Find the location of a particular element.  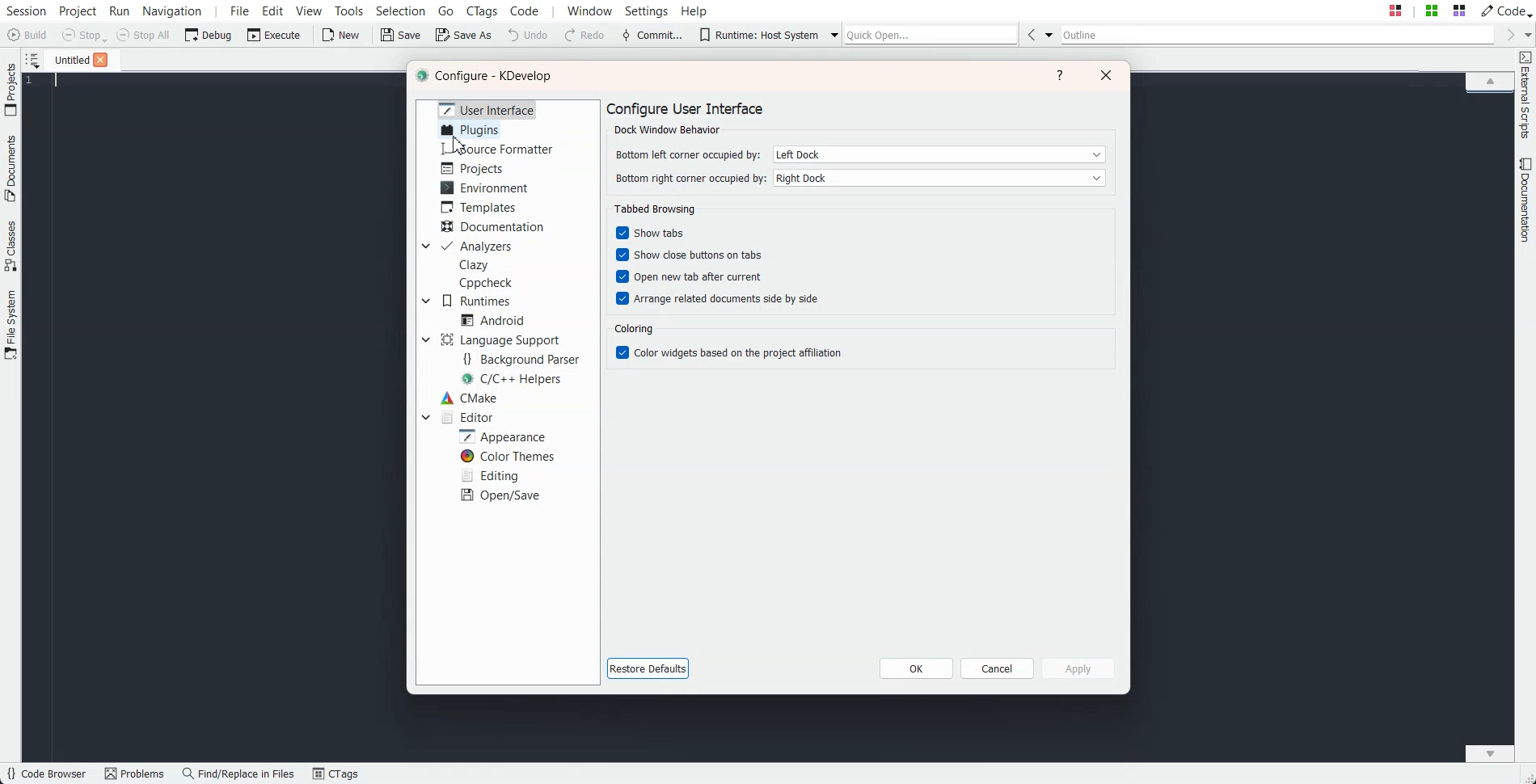

Close is located at coordinates (100, 60).